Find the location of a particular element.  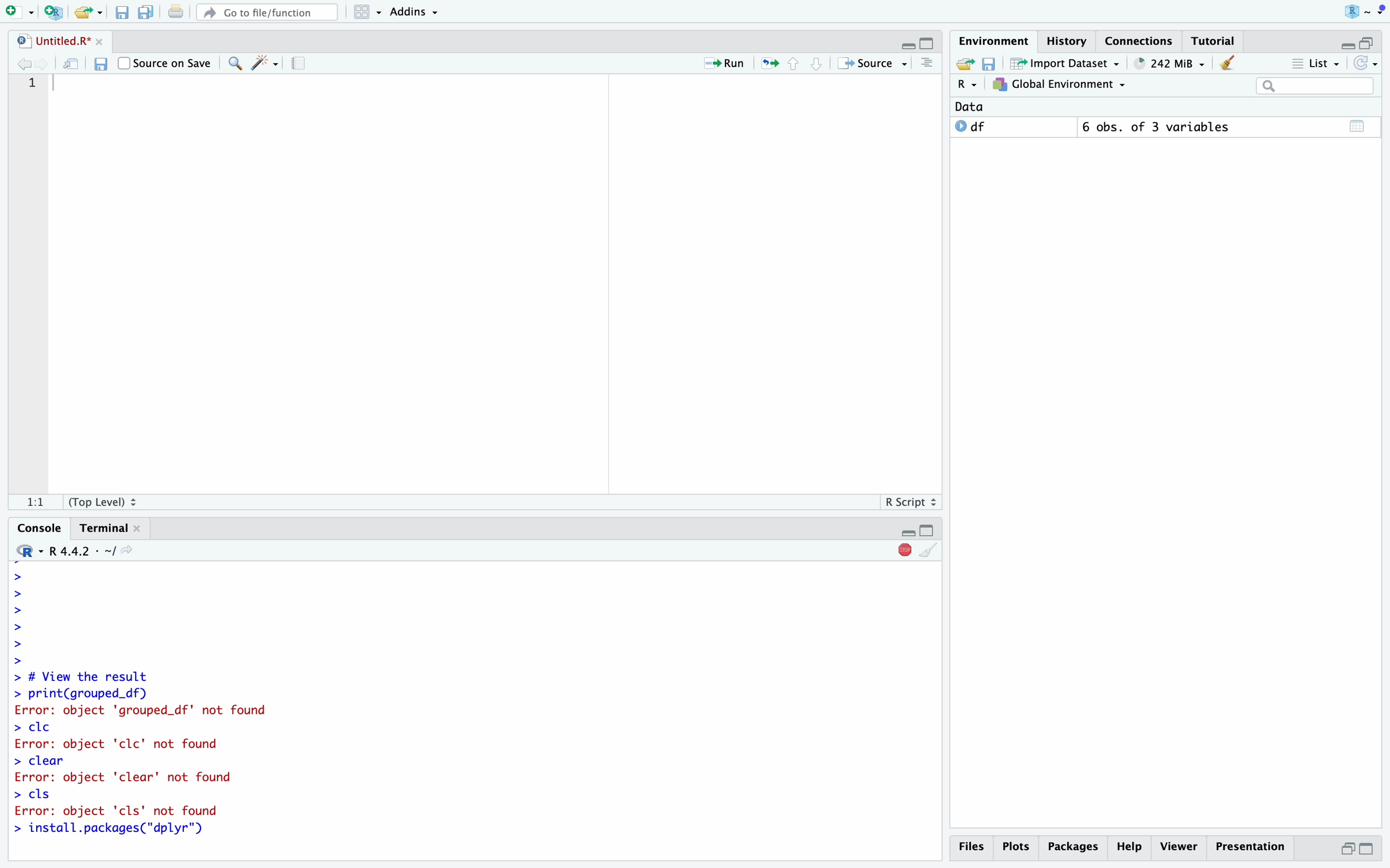

Export history logs is located at coordinates (967, 63).